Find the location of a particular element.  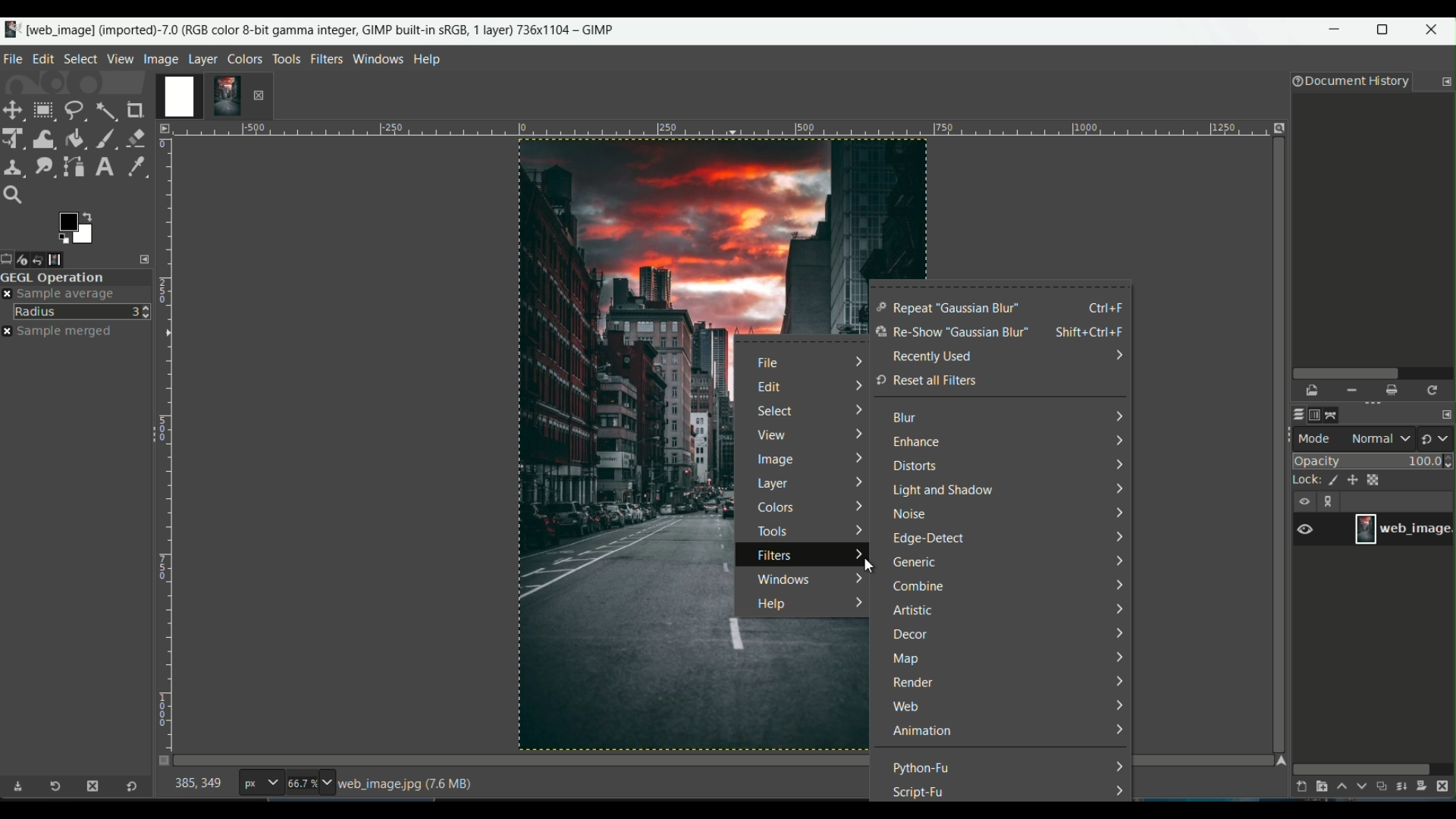

configure this tab is located at coordinates (146, 259).